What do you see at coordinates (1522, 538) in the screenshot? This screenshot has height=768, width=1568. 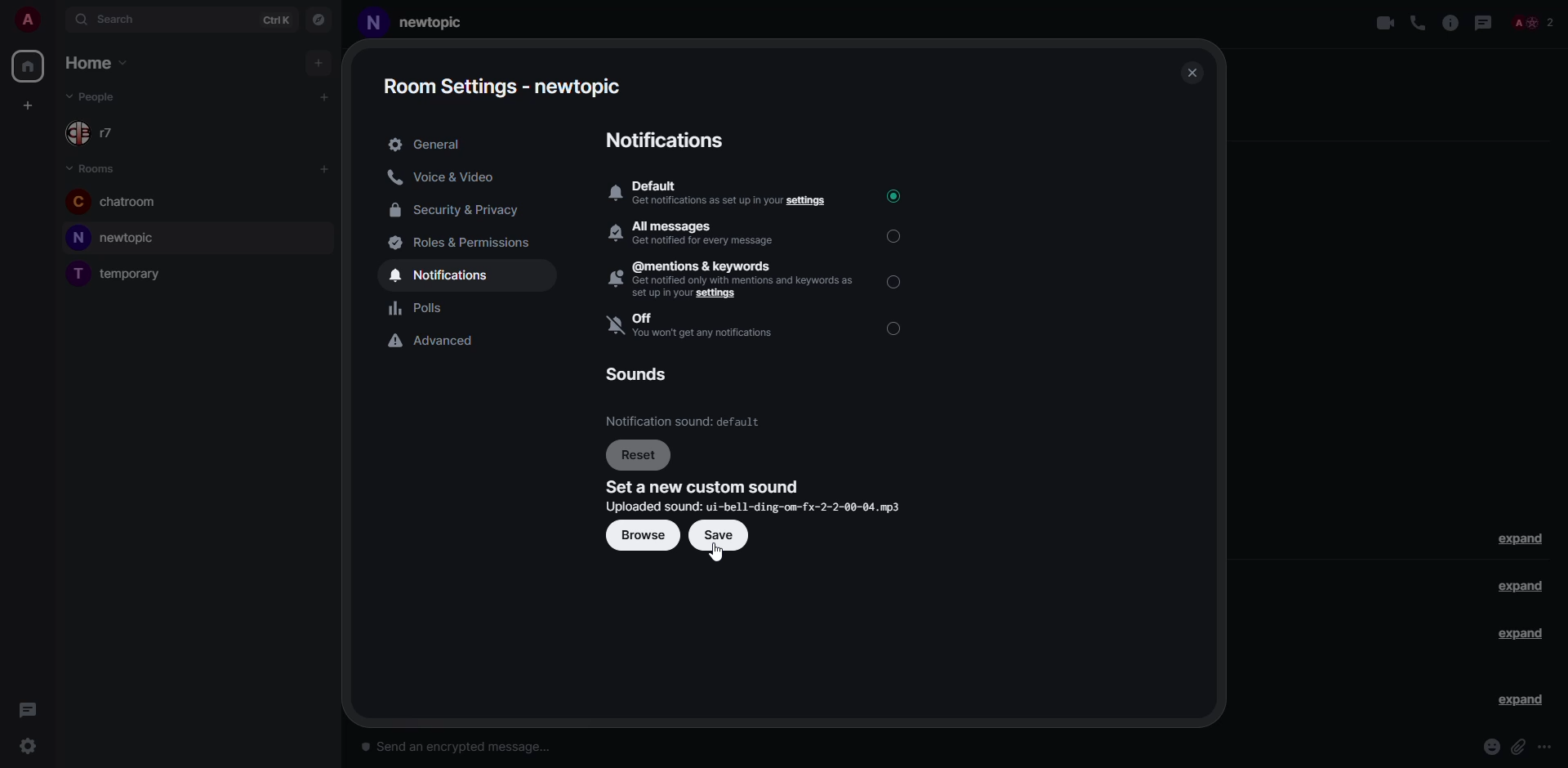 I see `expand` at bounding box center [1522, 538].